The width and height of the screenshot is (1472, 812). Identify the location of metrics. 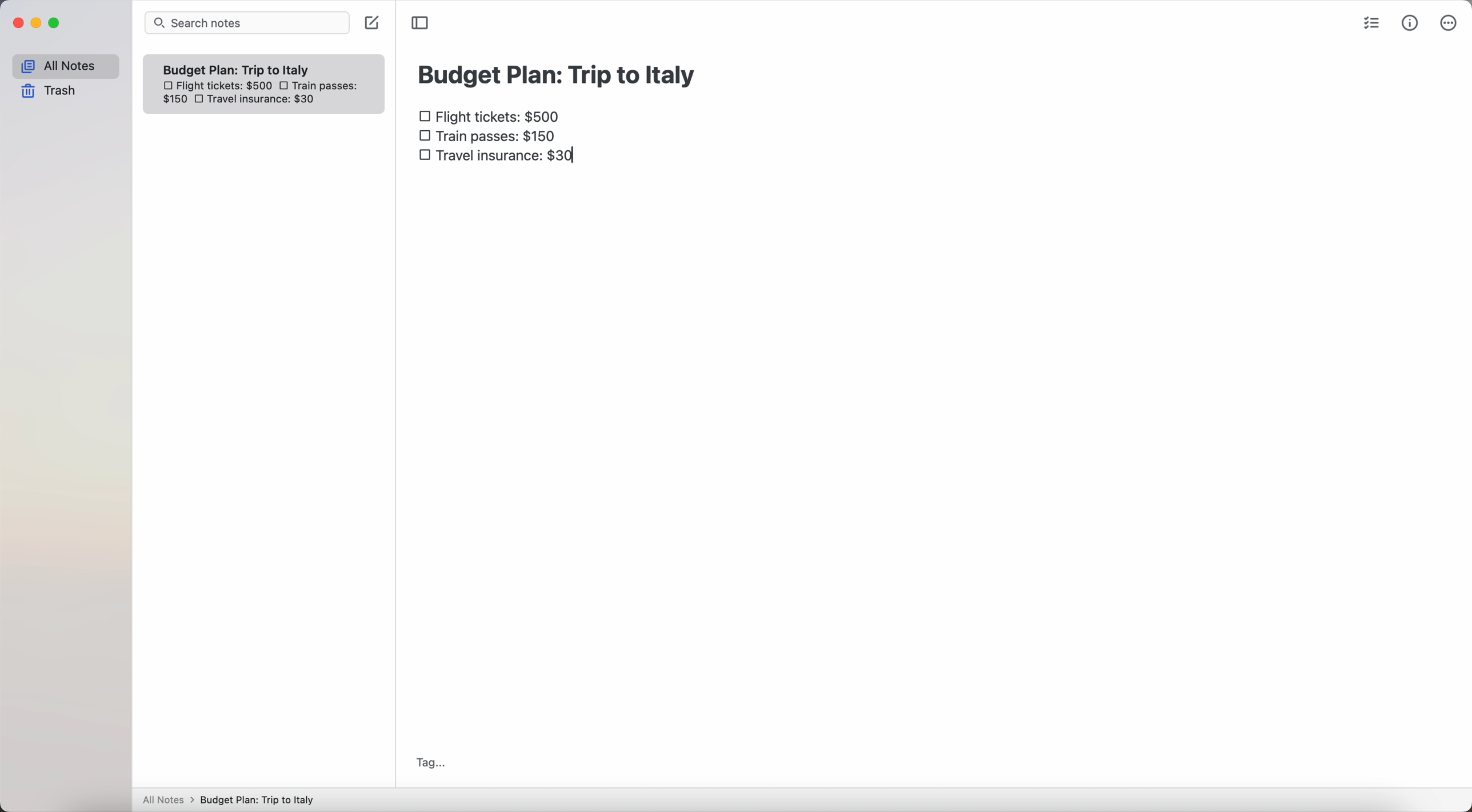
(1410, 25).